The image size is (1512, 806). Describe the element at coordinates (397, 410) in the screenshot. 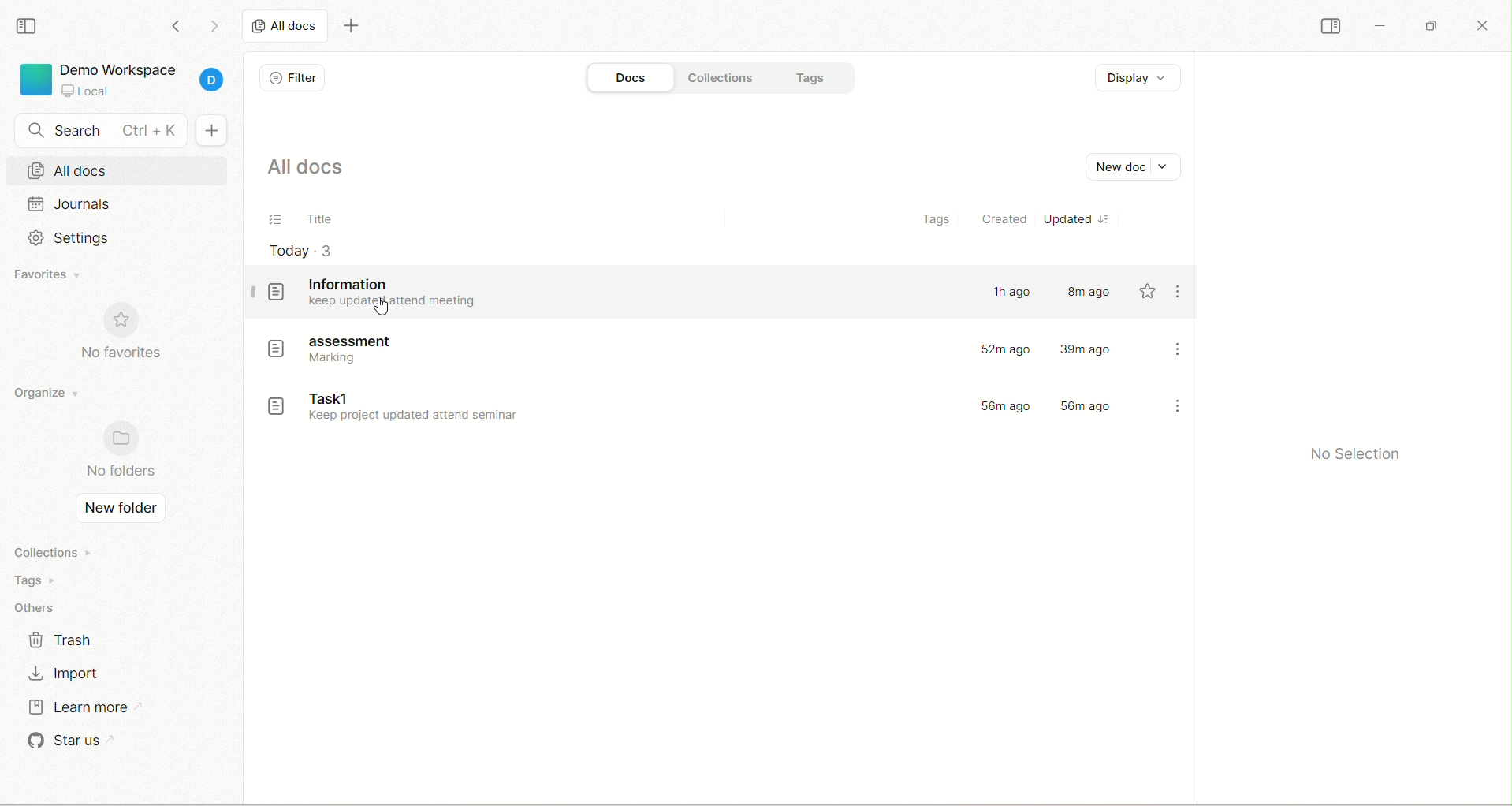

I see `document` at that location.